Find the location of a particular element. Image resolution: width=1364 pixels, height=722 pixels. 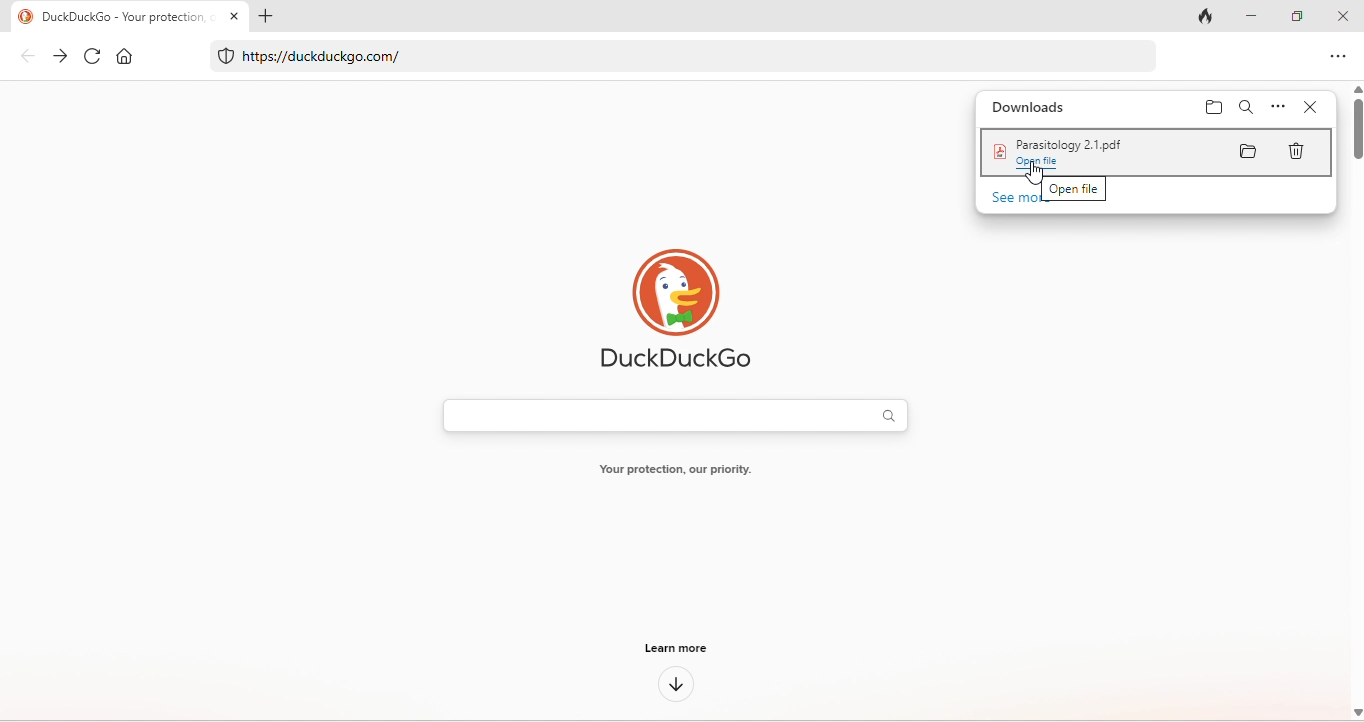

search bar is located at coordinates (677, 416).